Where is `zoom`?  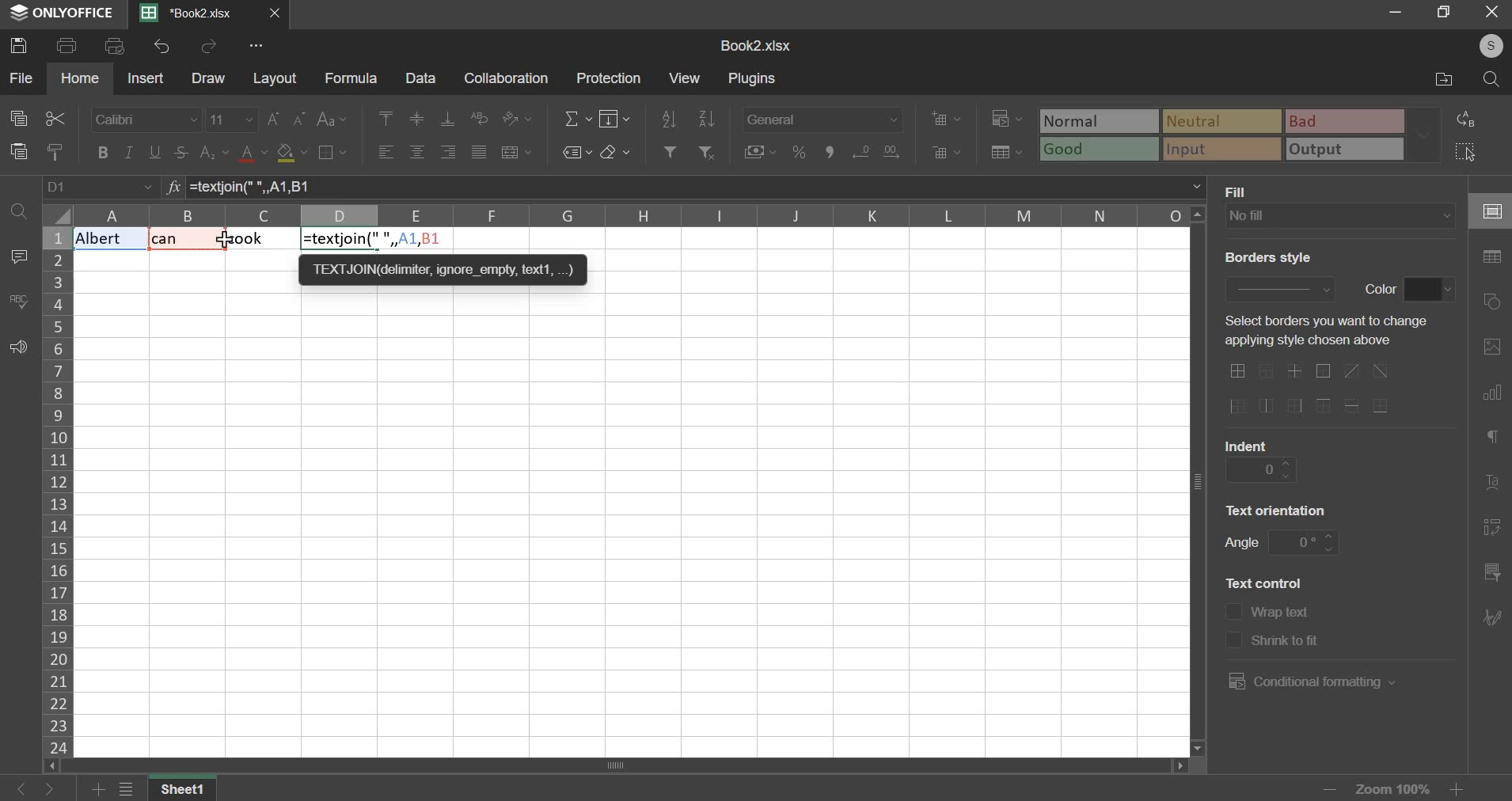 zoom is located at coordinates (1391, 787).